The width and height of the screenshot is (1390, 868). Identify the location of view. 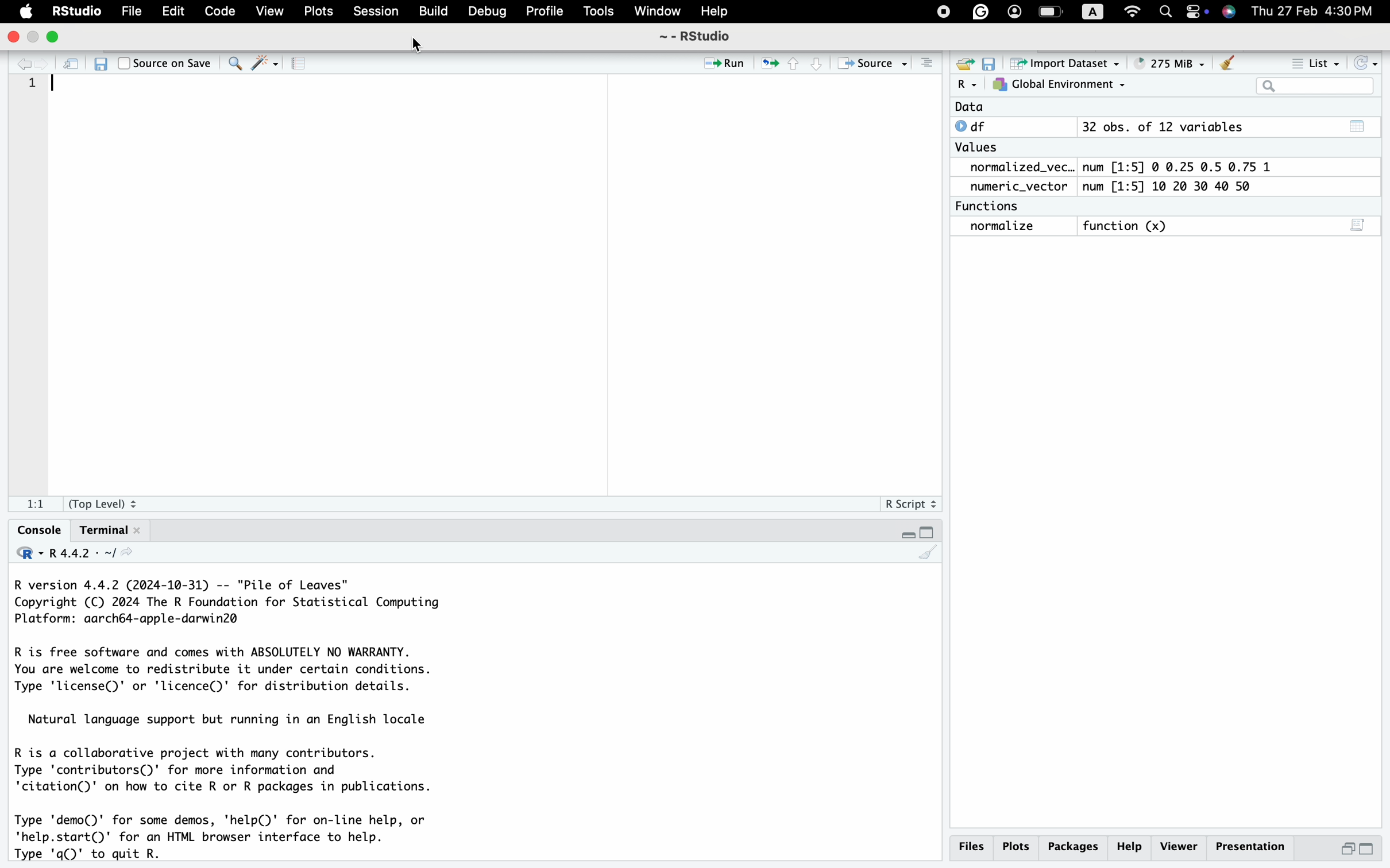
(269, 12).